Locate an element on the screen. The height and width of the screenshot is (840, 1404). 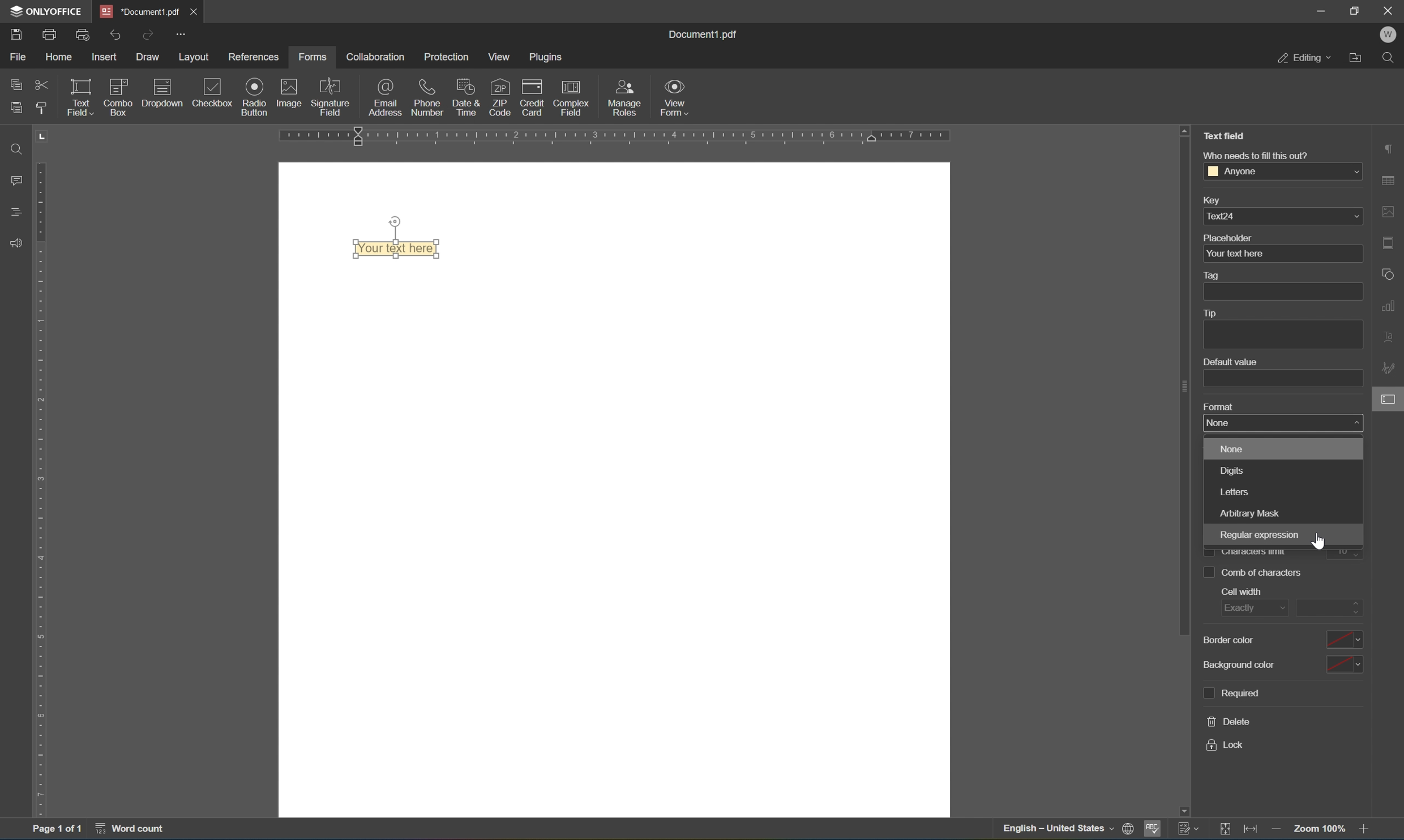
quick print is located at coordinates (84, 35).